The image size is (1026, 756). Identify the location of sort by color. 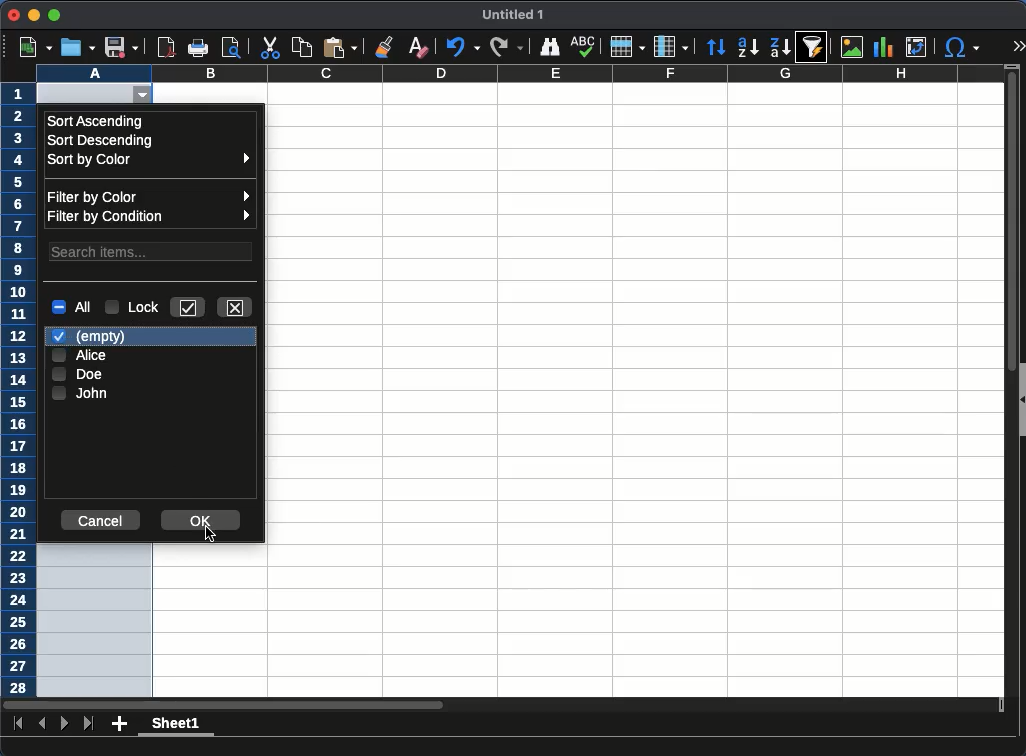
(153, 161).